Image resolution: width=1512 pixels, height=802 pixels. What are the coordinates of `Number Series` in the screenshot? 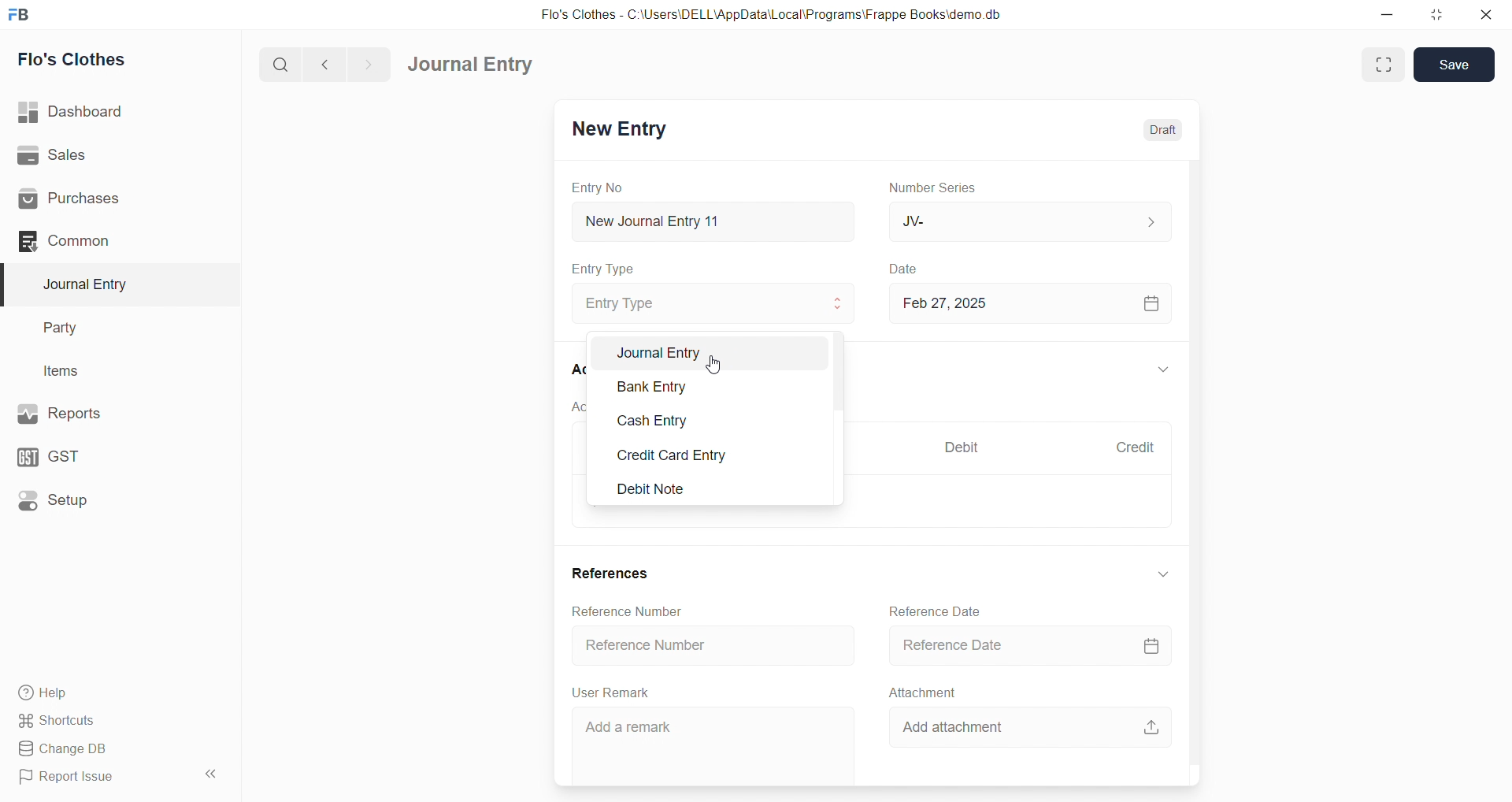 It's located at (939, 188).